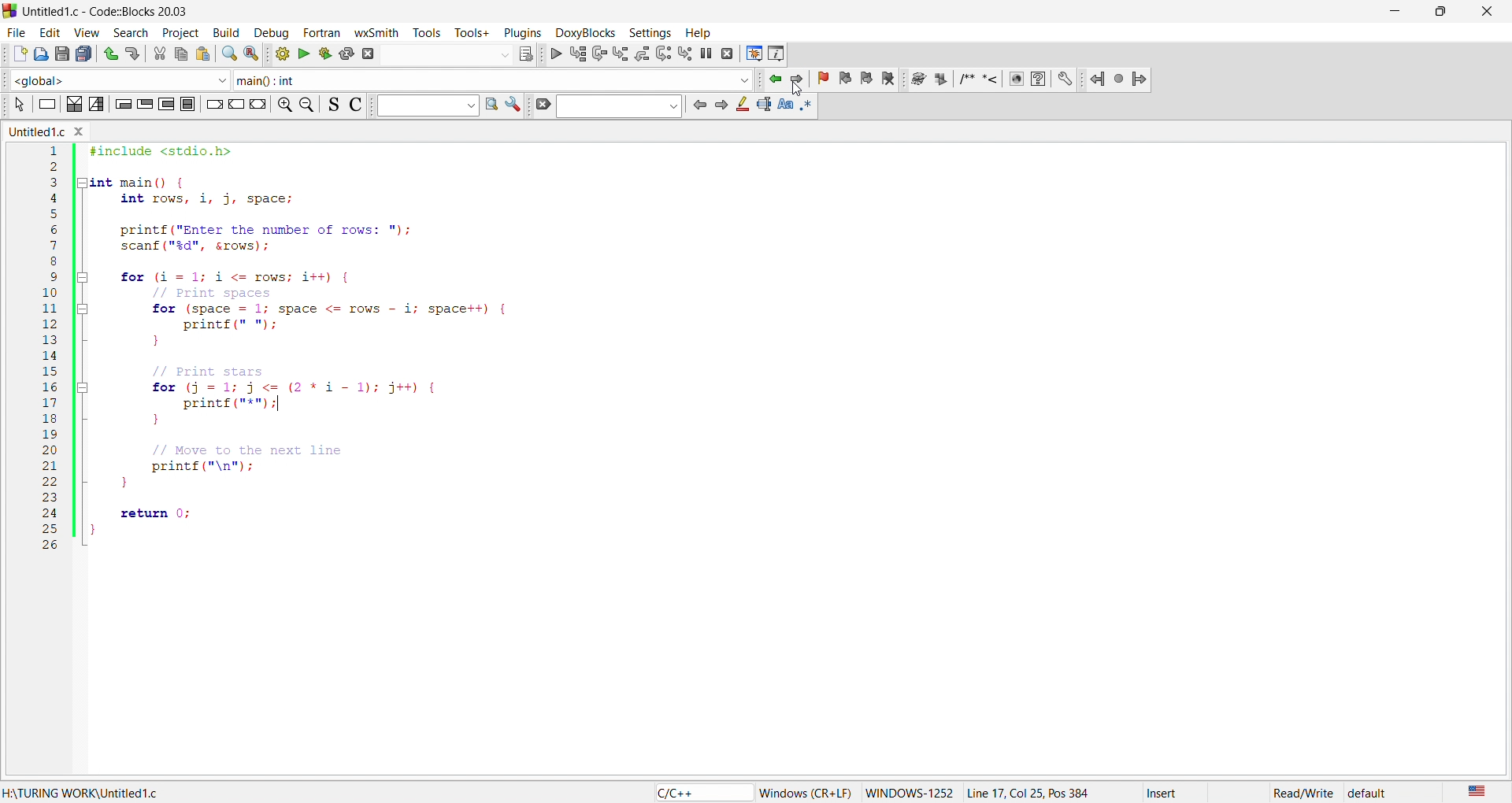  Describe the element at coordinates (271, 31) in the screenshot. I see `debug` at that location.